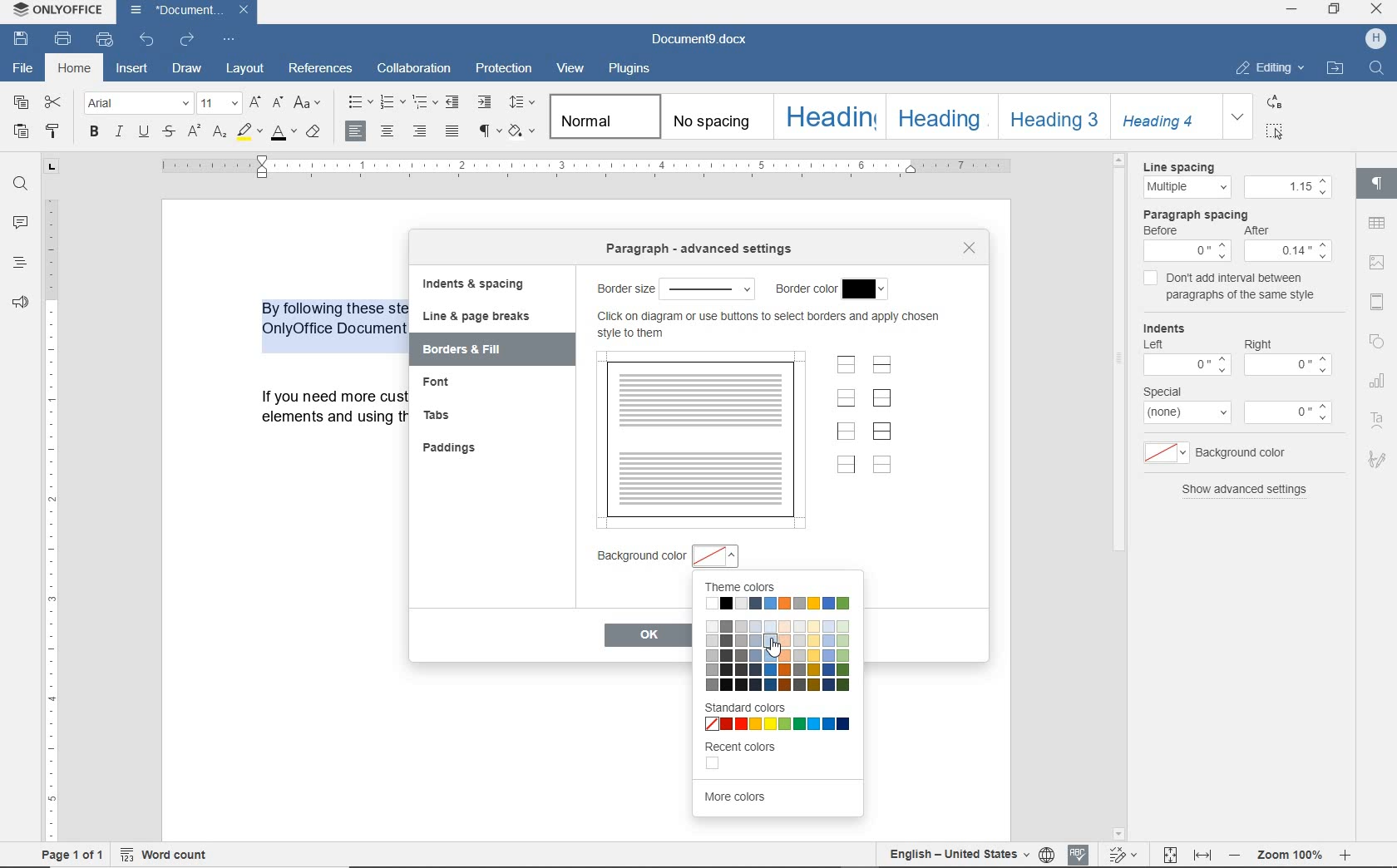 The width and height of the screenshot is (1397, 868). I want to click on indents & spacing, so click(473, 284).